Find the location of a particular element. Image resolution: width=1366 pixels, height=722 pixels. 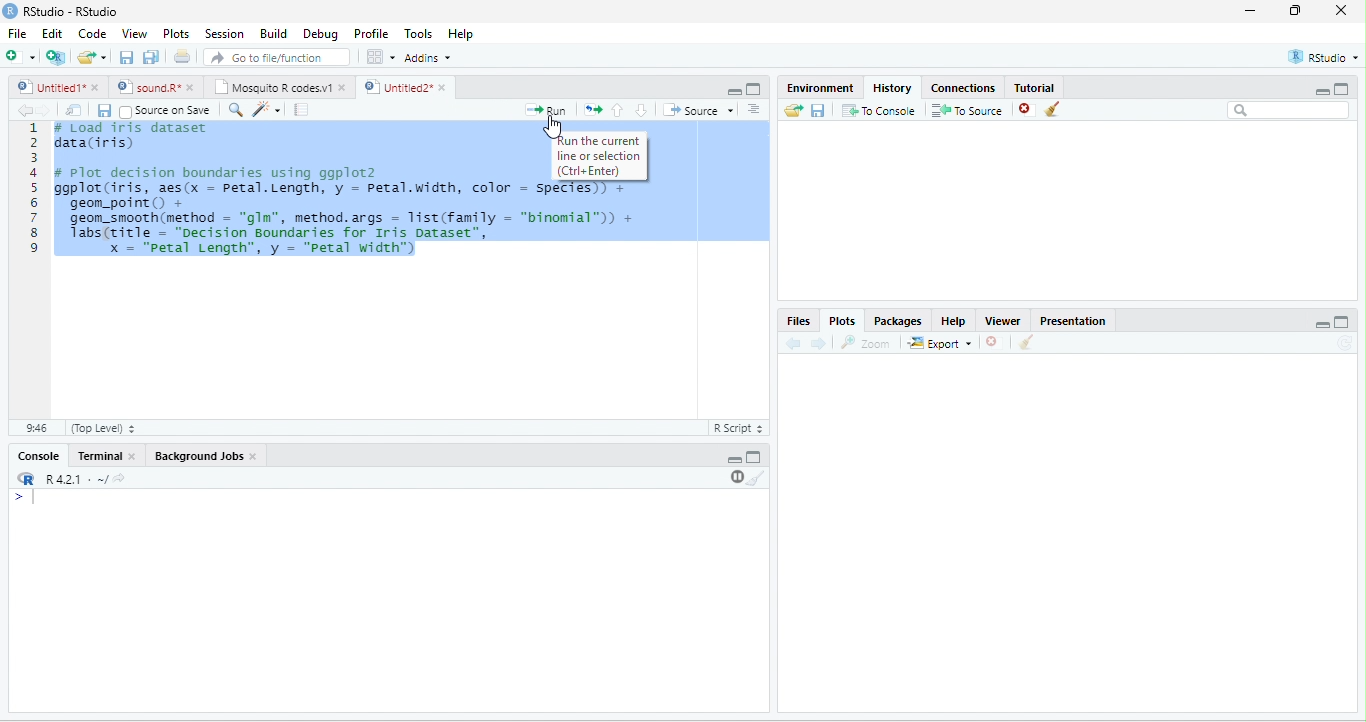

Console is located at coordinates (38, 455).